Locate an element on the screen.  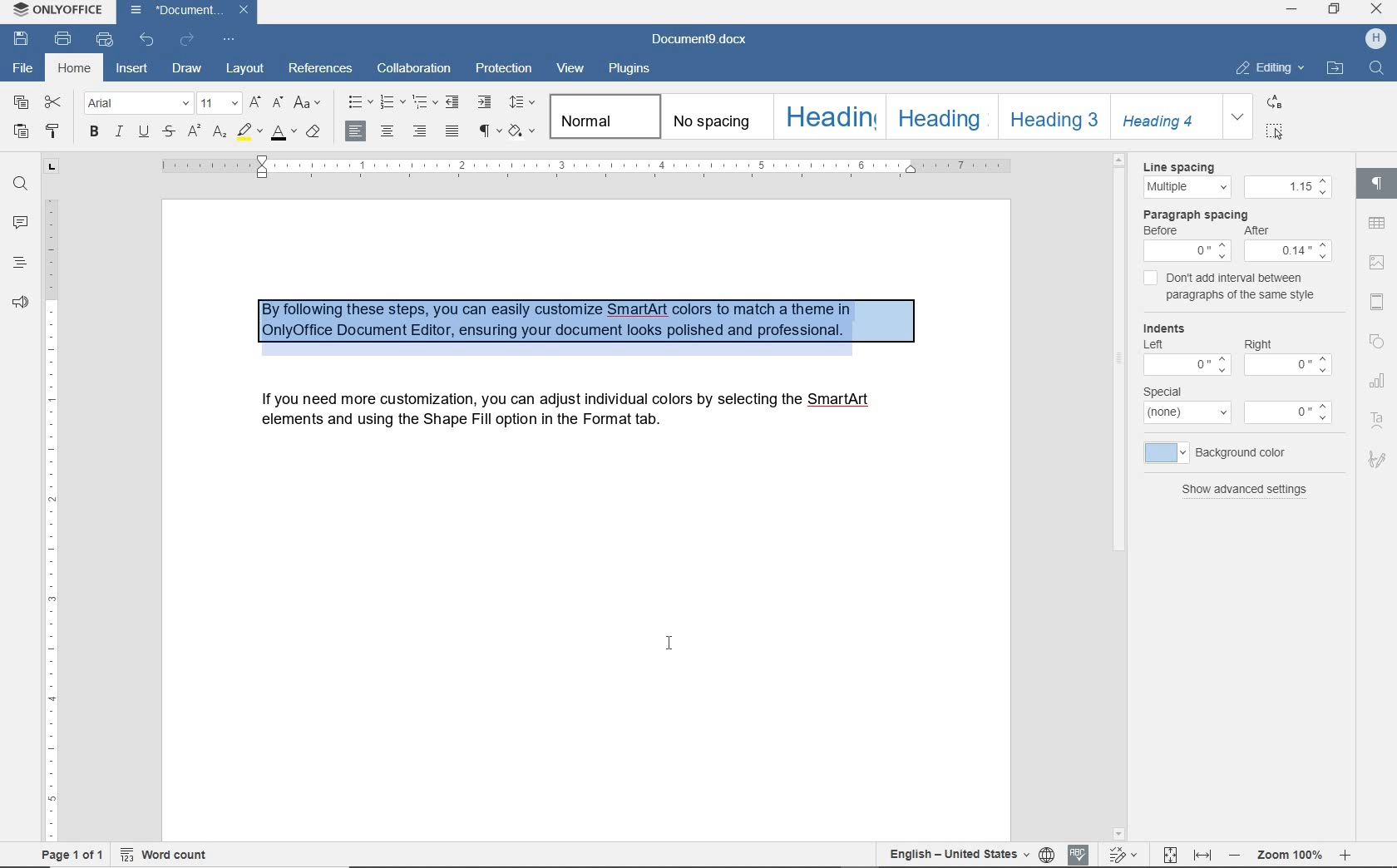
shaded border added is located at coordinates (598, 324).